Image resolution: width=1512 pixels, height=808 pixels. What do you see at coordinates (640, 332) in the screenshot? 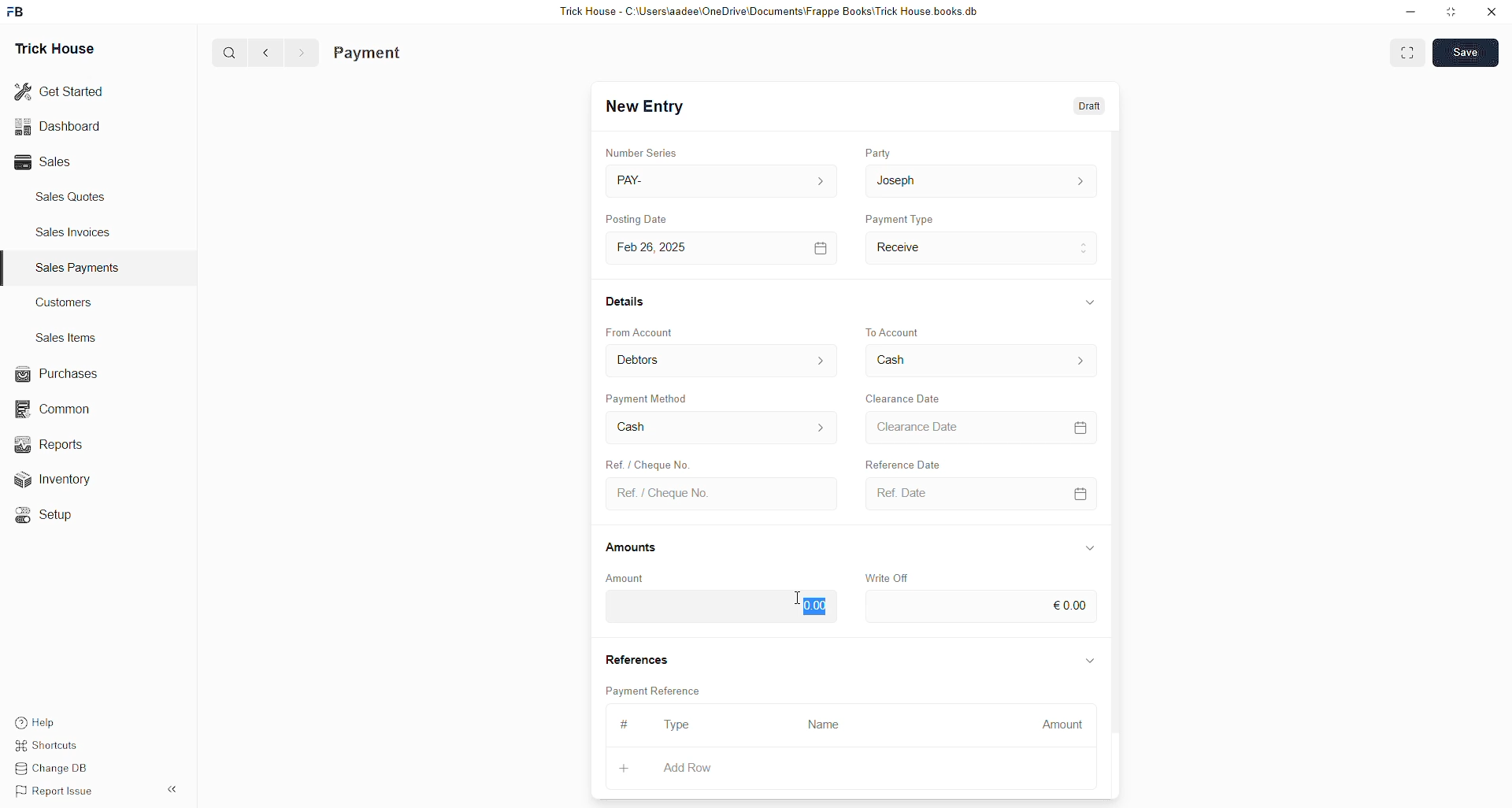
I see `From Account` at bounding box center [640, 332].